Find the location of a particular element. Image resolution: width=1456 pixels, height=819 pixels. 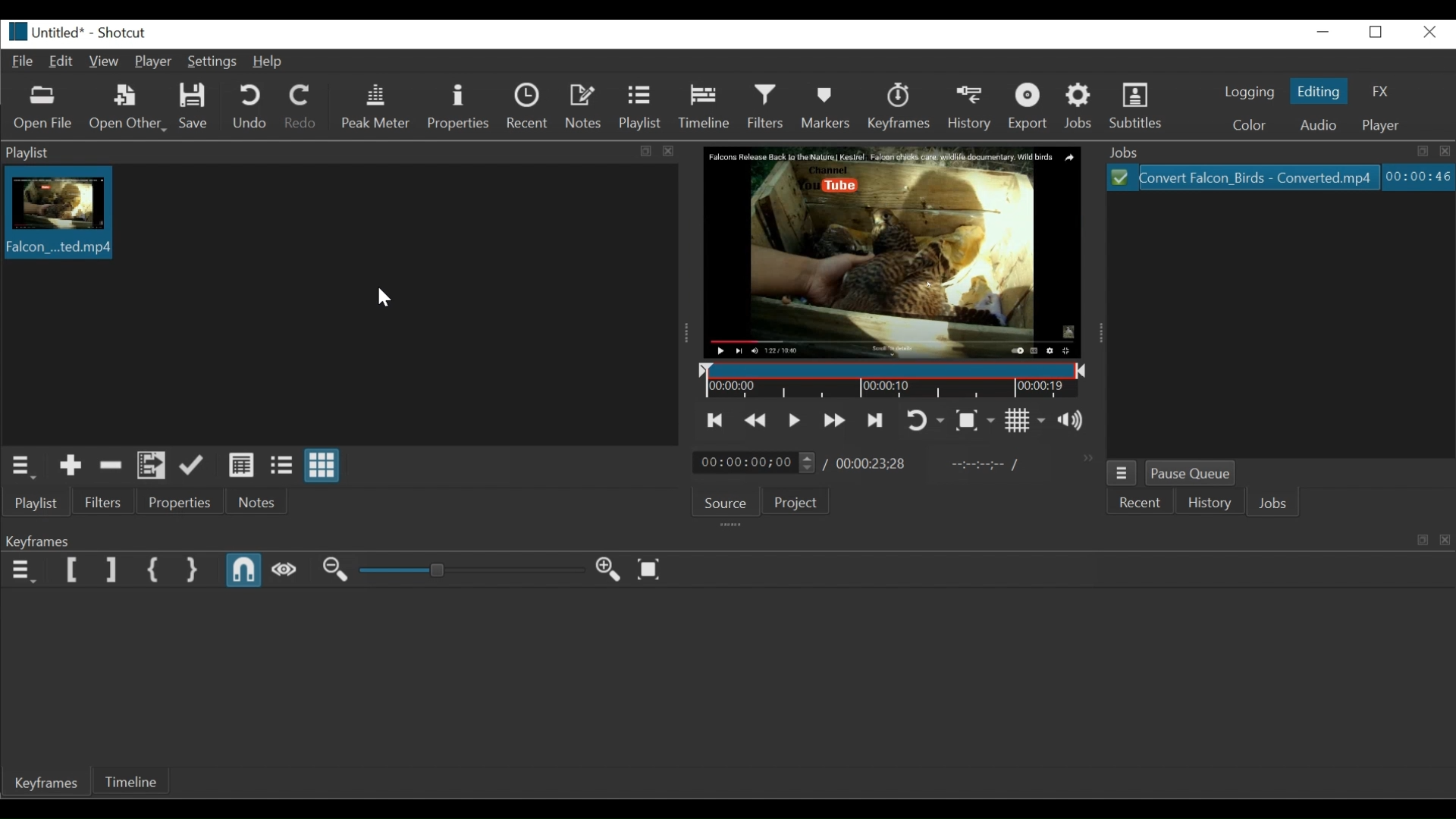

Set Filter last is located at coordinates (111, 570).